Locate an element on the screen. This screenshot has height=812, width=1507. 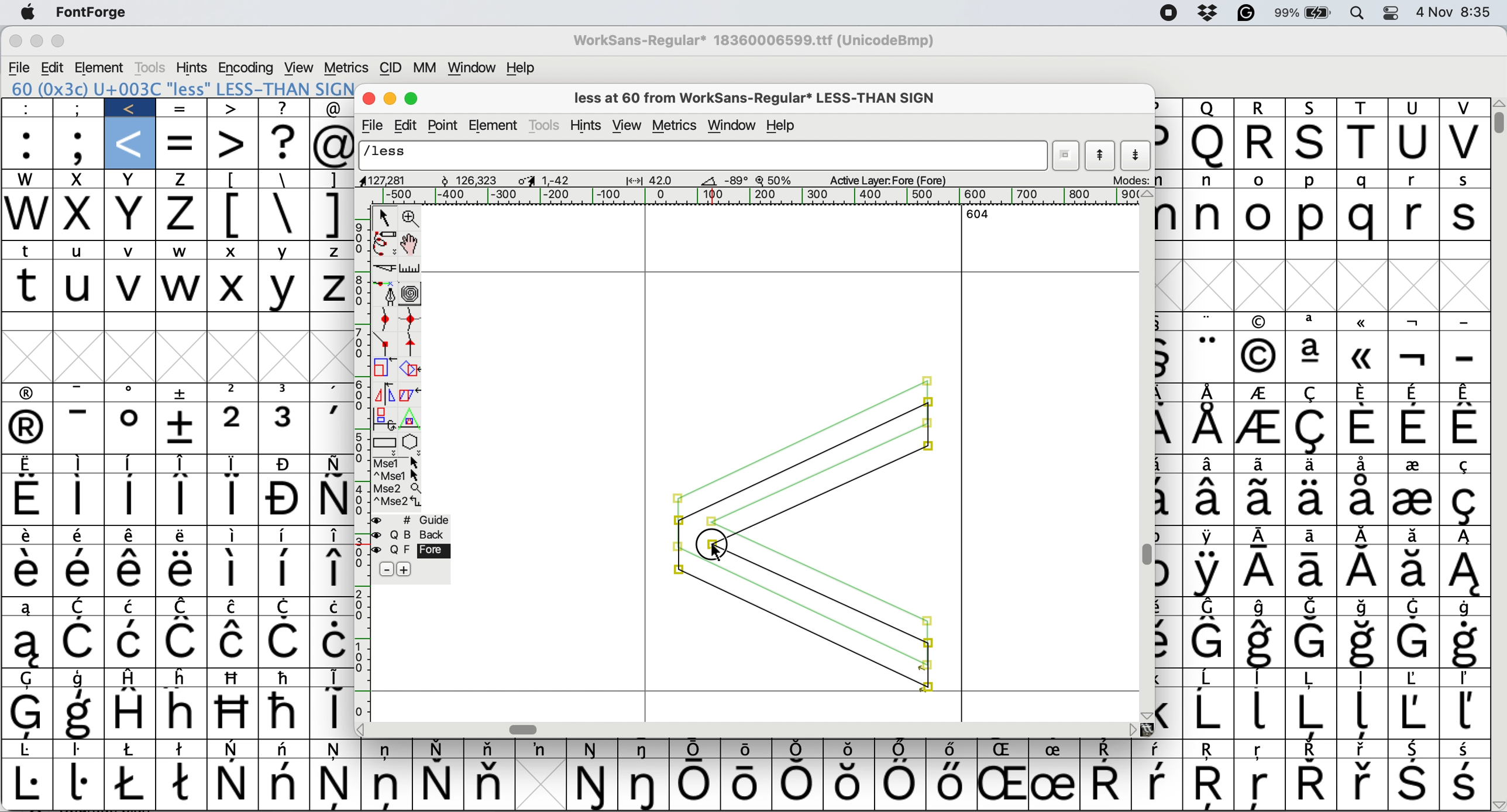
Symbol is located at coordinates (1260, 749).